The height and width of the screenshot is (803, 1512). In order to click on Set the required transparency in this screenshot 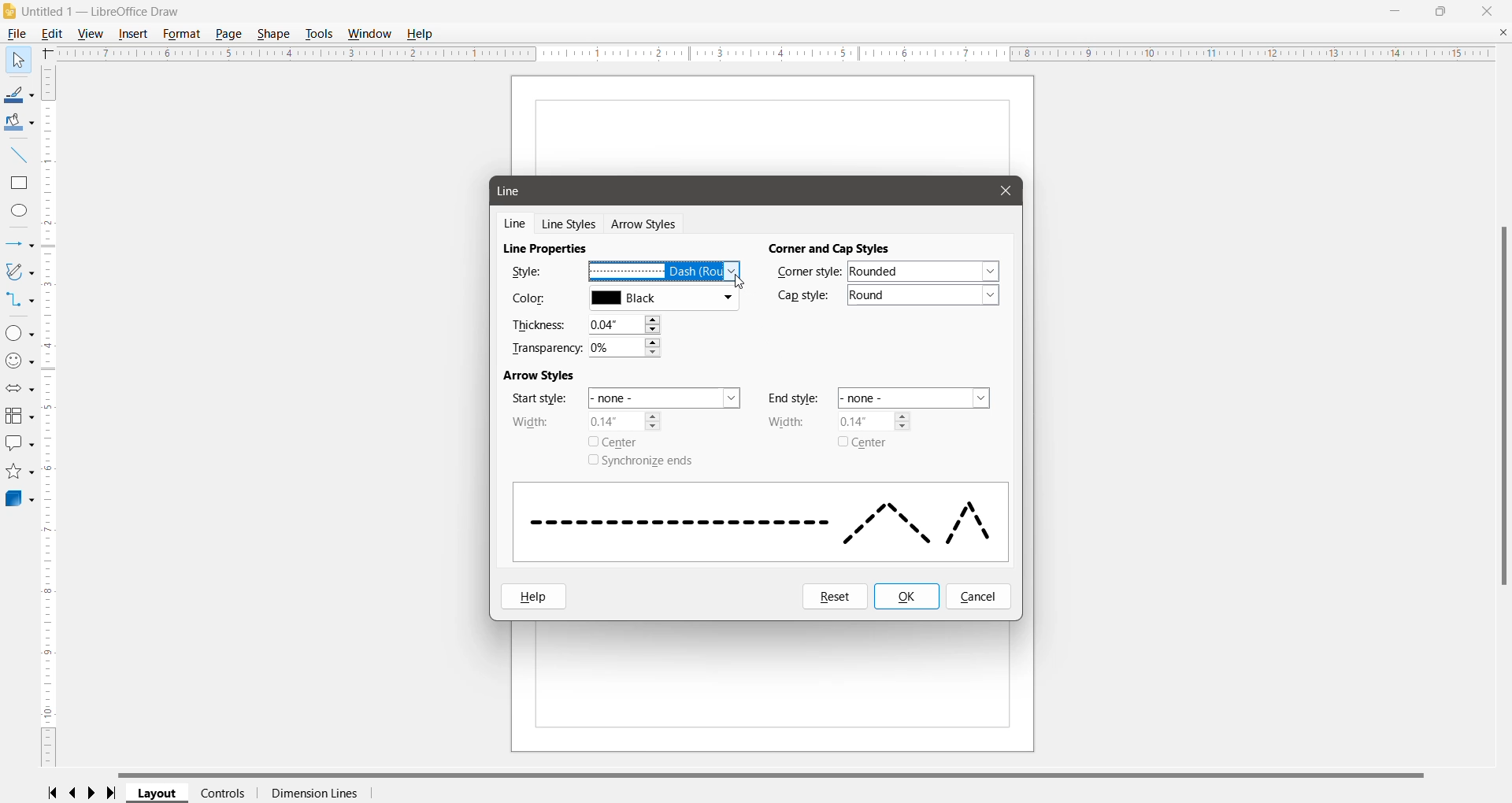, I will do `click(626, 348)`.